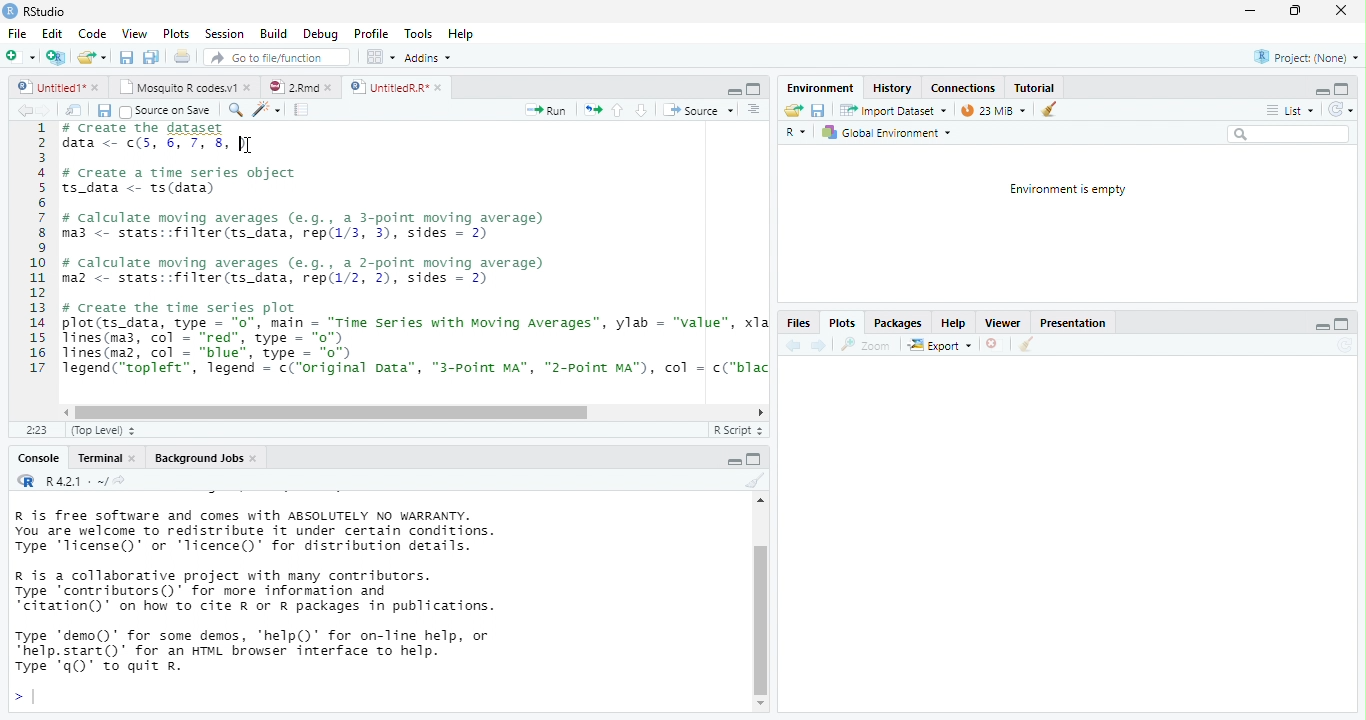 The image size is (1366, 720). Describe the element at coordinates (46, 86) in the screenshot. I see `untitled 1` at that location.